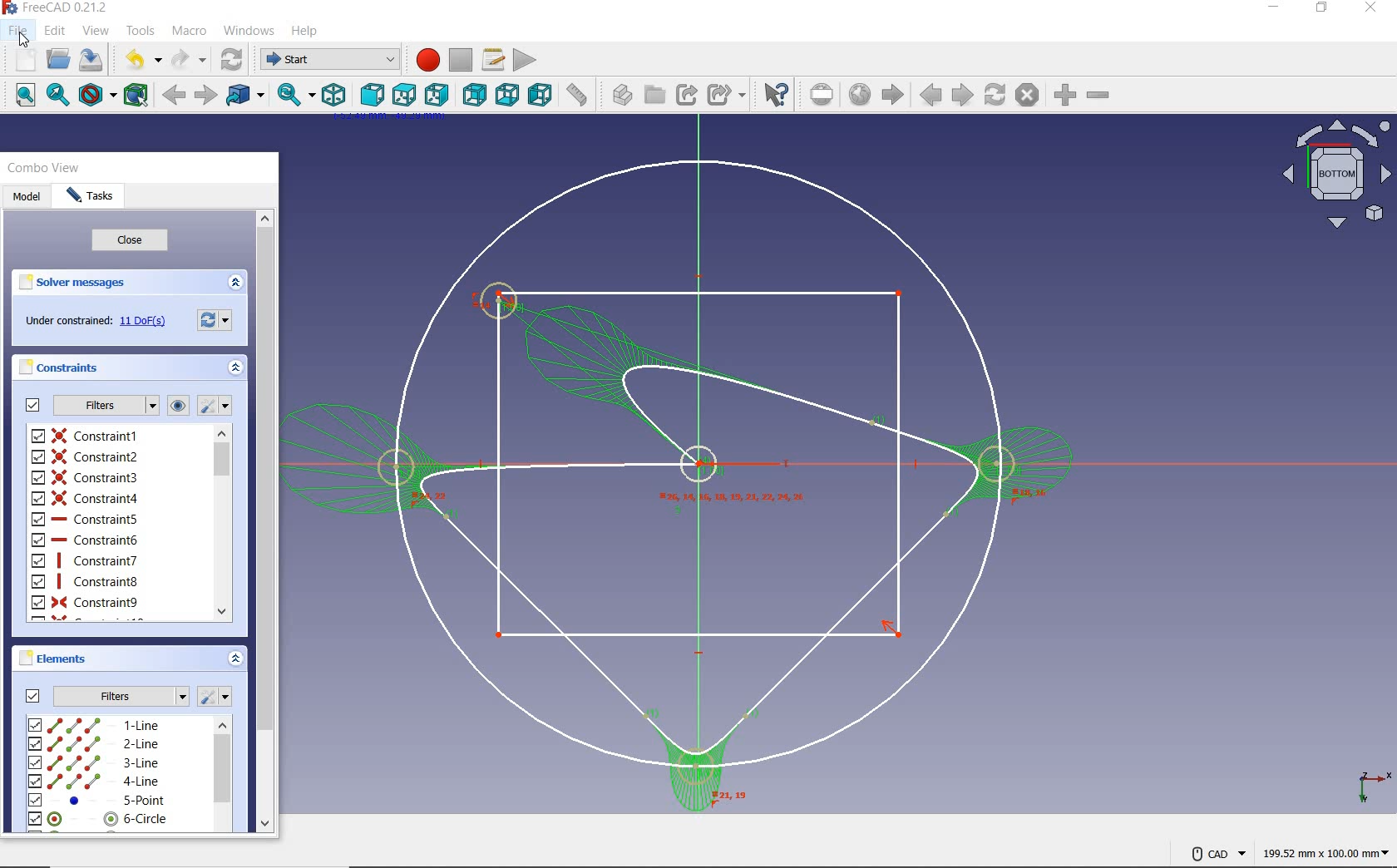  Describe the element at coordinates (97, 96) in the screenshot. I see `draw style` at that location.